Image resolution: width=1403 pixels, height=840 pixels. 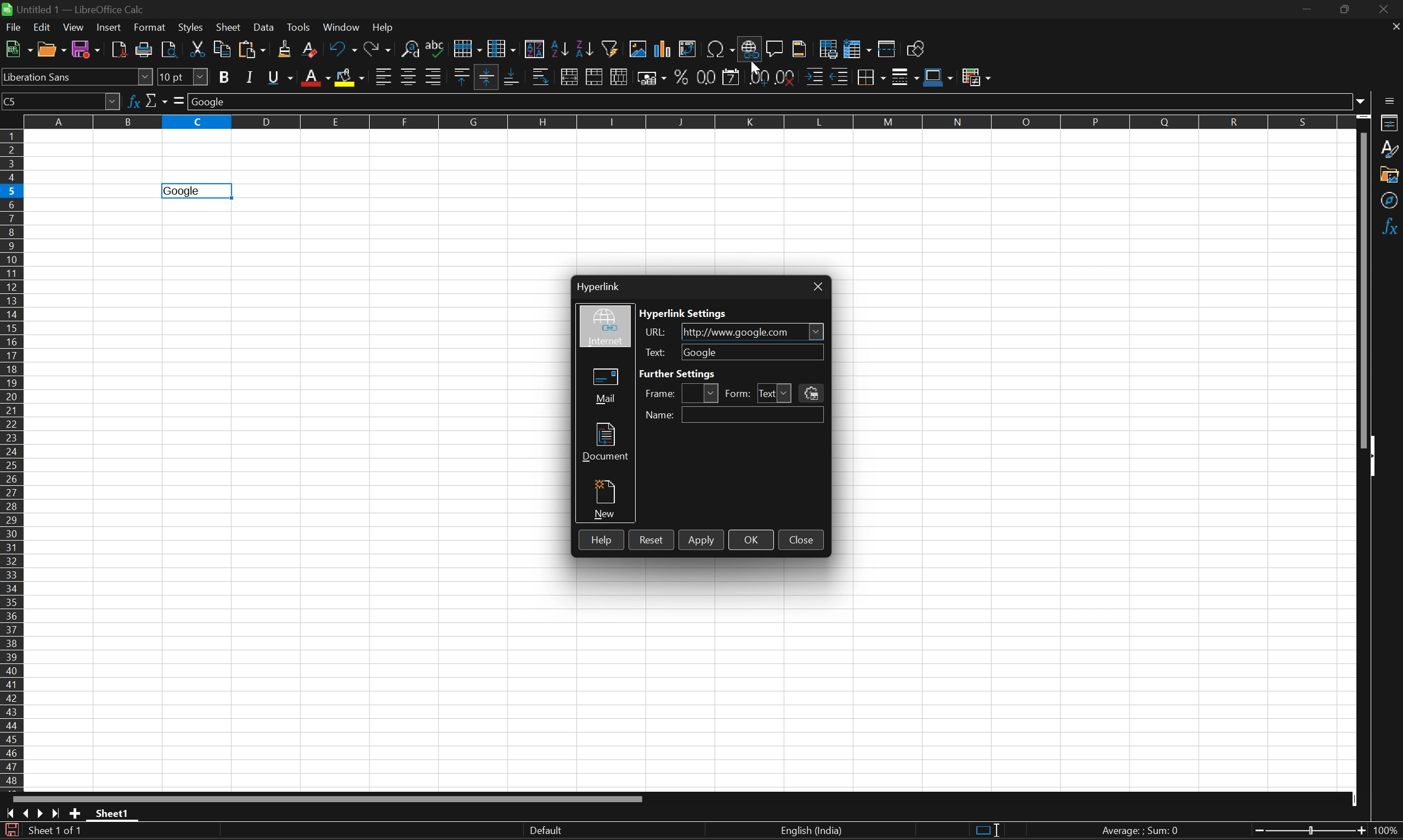 I want to click on Sheet1, so click(x=113, y=813).